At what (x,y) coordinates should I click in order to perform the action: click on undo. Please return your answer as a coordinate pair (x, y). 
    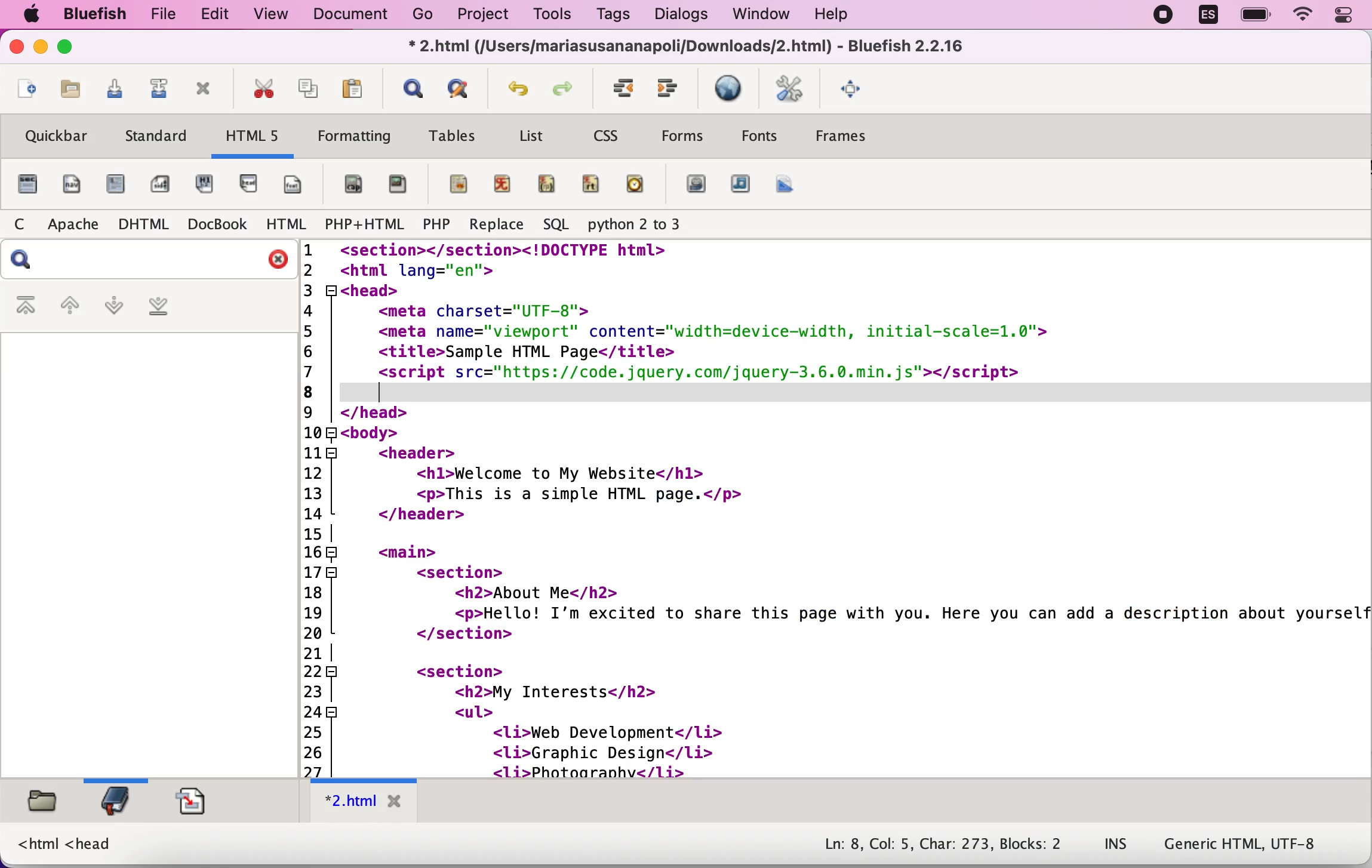
    Looking at the image, I should click on (521, 90).